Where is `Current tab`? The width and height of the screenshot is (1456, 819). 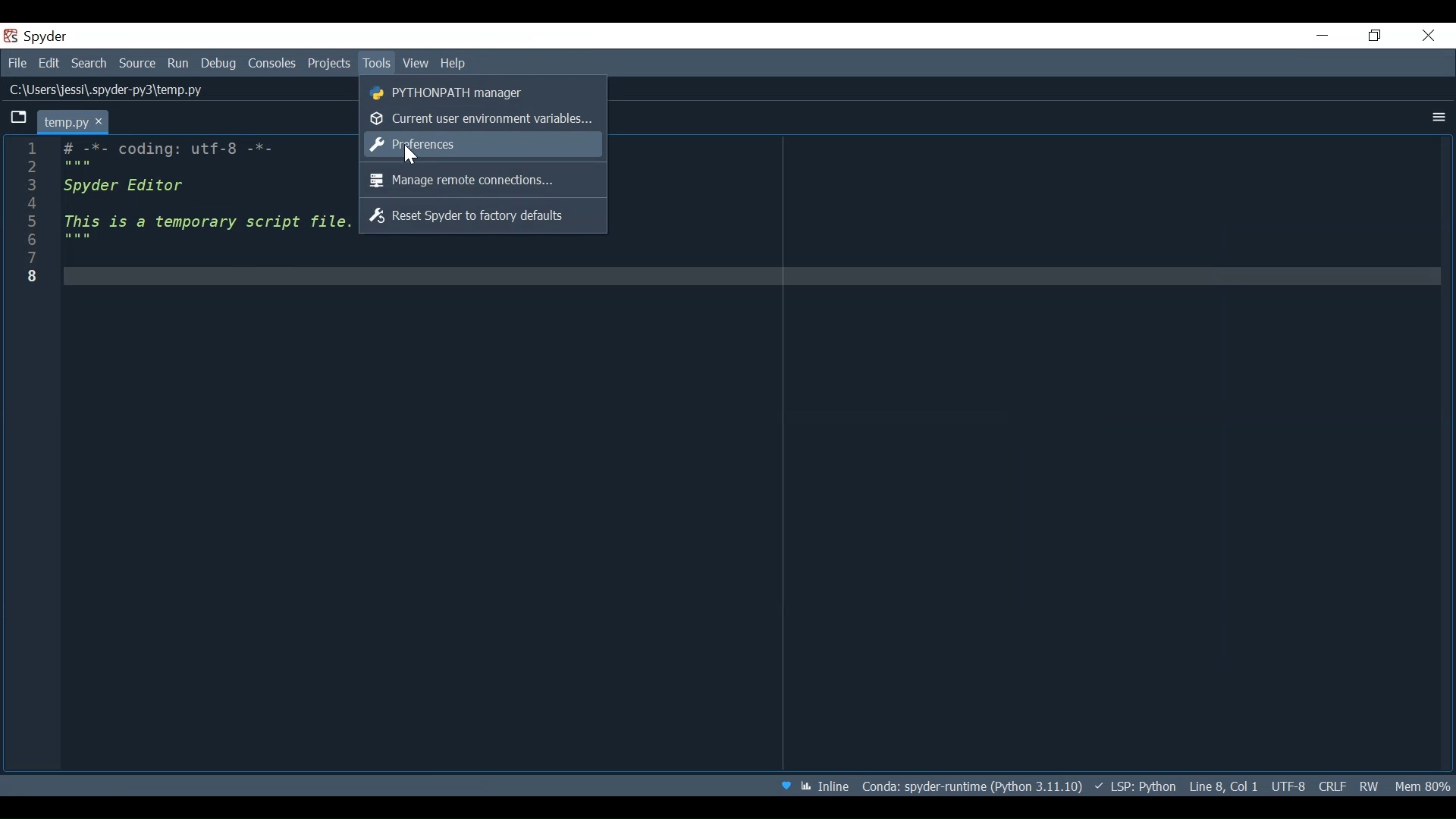 Current tab is located at coordinates (74, 121).